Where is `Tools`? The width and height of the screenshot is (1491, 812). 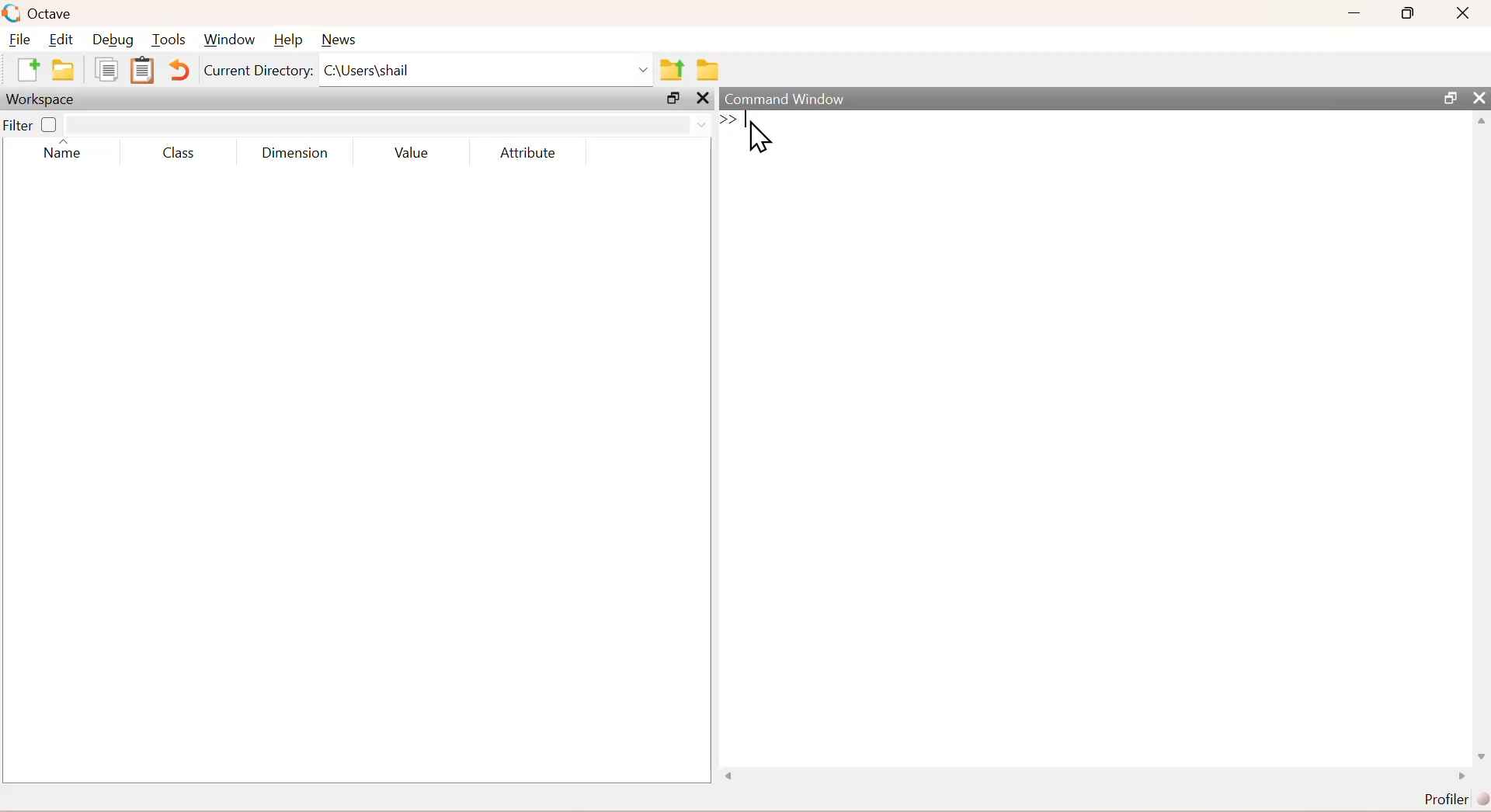
Tools is located at coordinates (171, 39).